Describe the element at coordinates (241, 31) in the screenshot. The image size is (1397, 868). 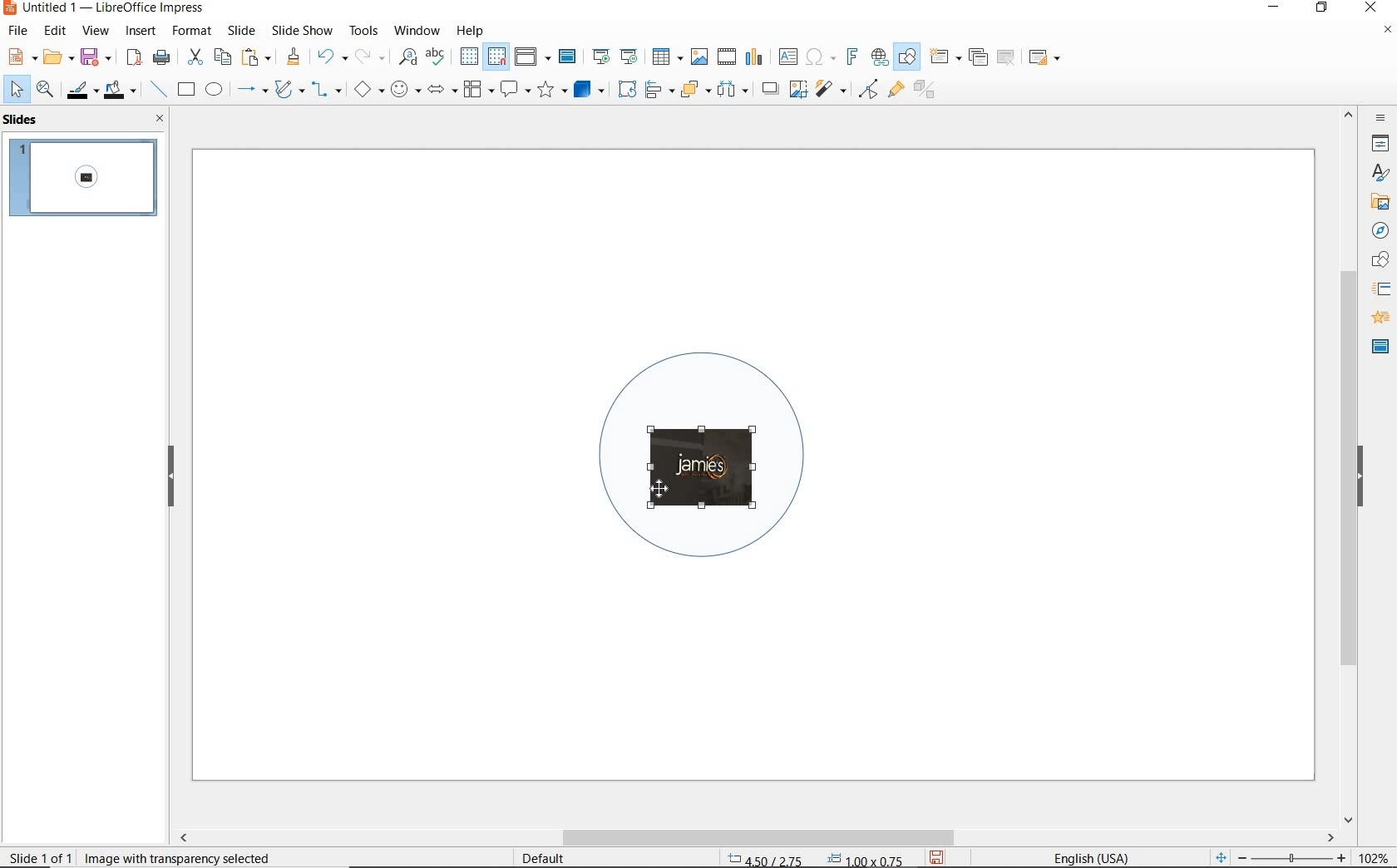
I see `slide` at that location.